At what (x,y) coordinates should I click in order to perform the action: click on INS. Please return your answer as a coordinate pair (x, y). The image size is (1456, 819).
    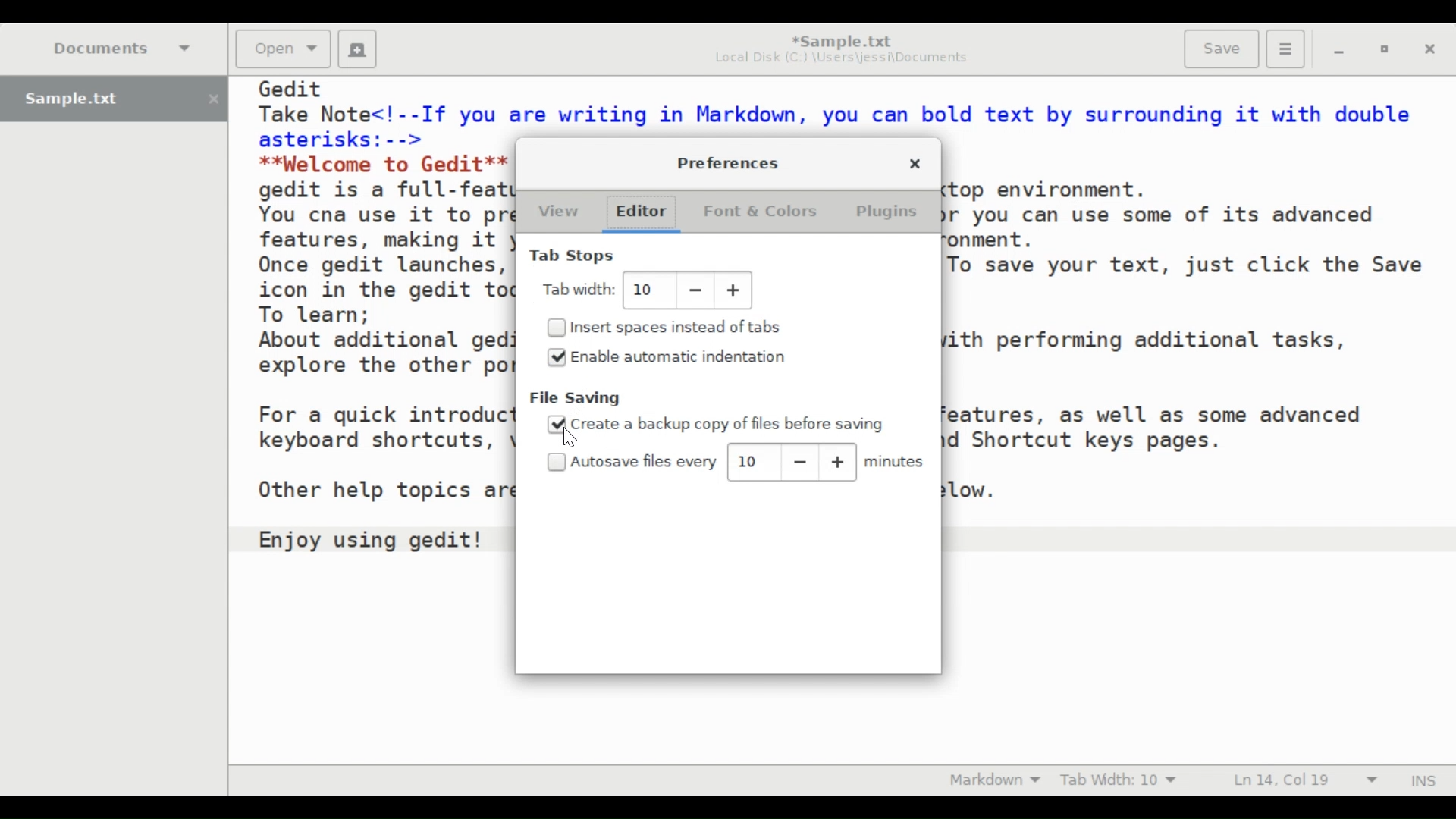
    Looking at the image, I should click on (1422, 779).